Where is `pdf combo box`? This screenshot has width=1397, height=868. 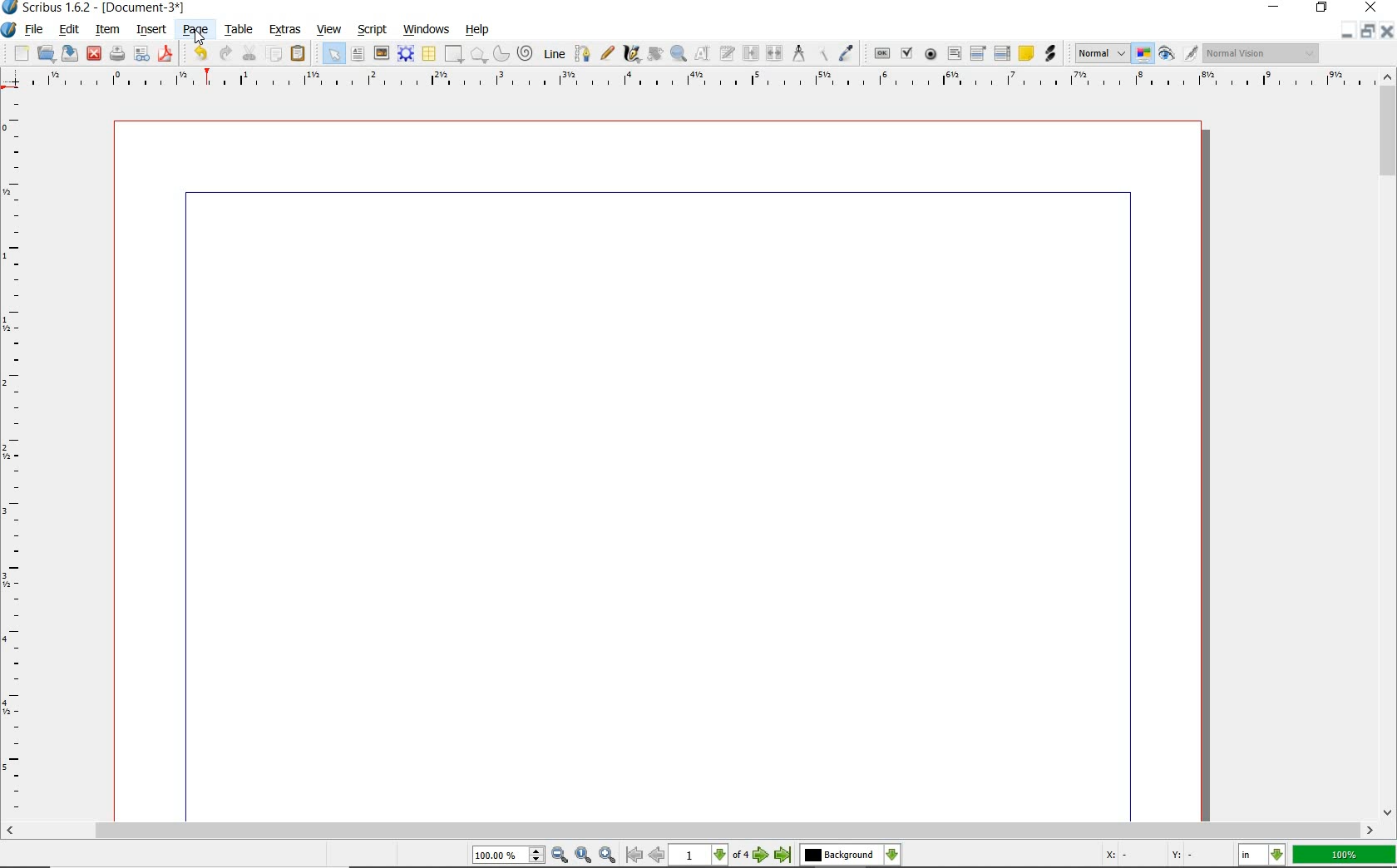 pdf combo box is located at coordinates (979, 52).